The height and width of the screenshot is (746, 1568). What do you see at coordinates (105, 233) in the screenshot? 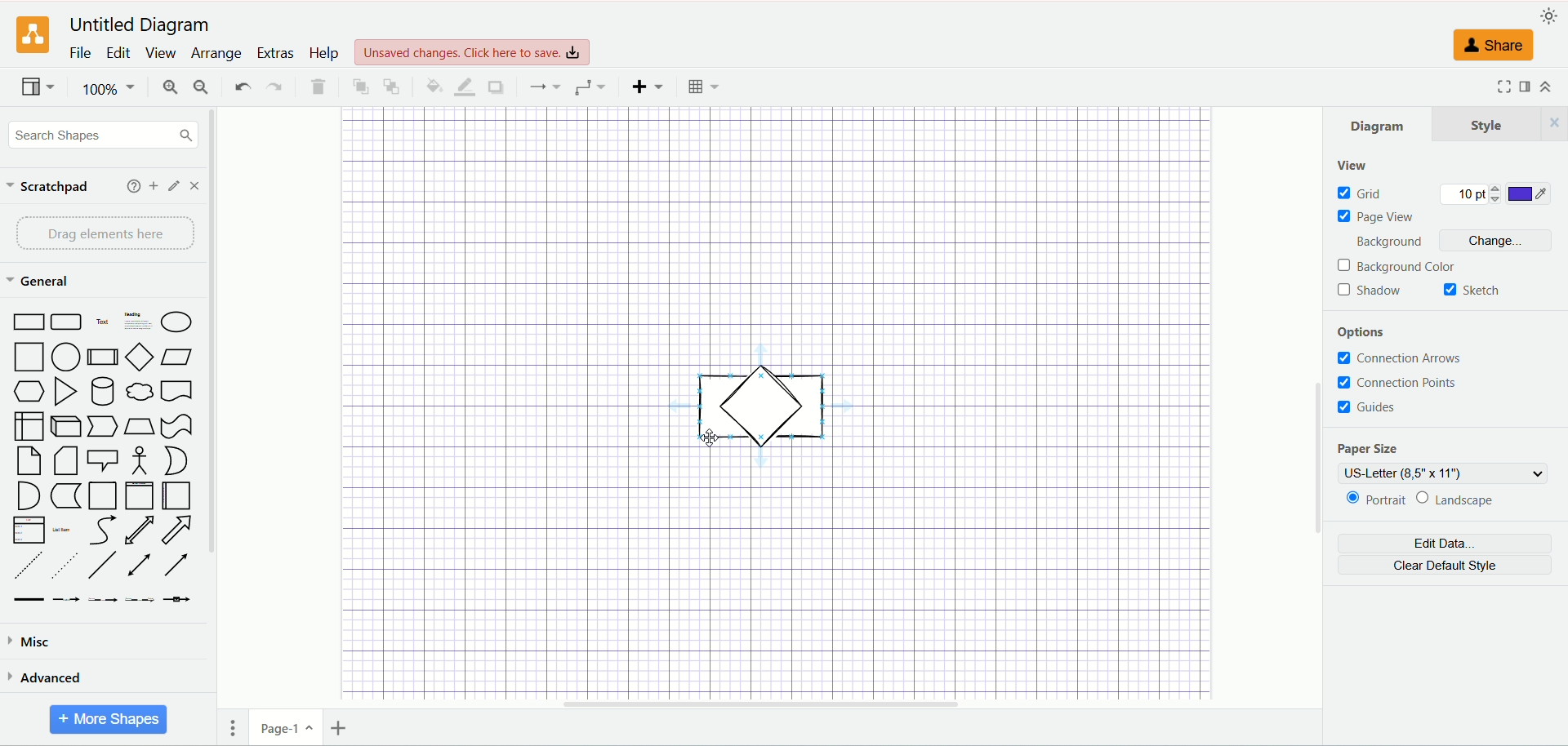
I see `drag element here` at bounding box center [105, 233].